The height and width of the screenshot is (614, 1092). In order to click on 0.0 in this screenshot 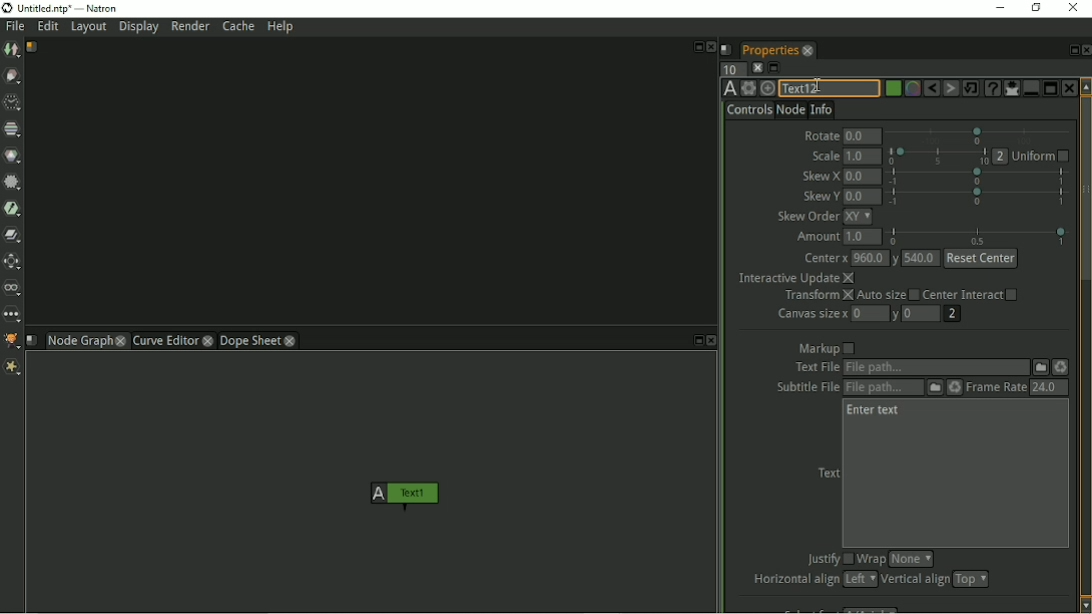, I will do `click(862, 177)`.